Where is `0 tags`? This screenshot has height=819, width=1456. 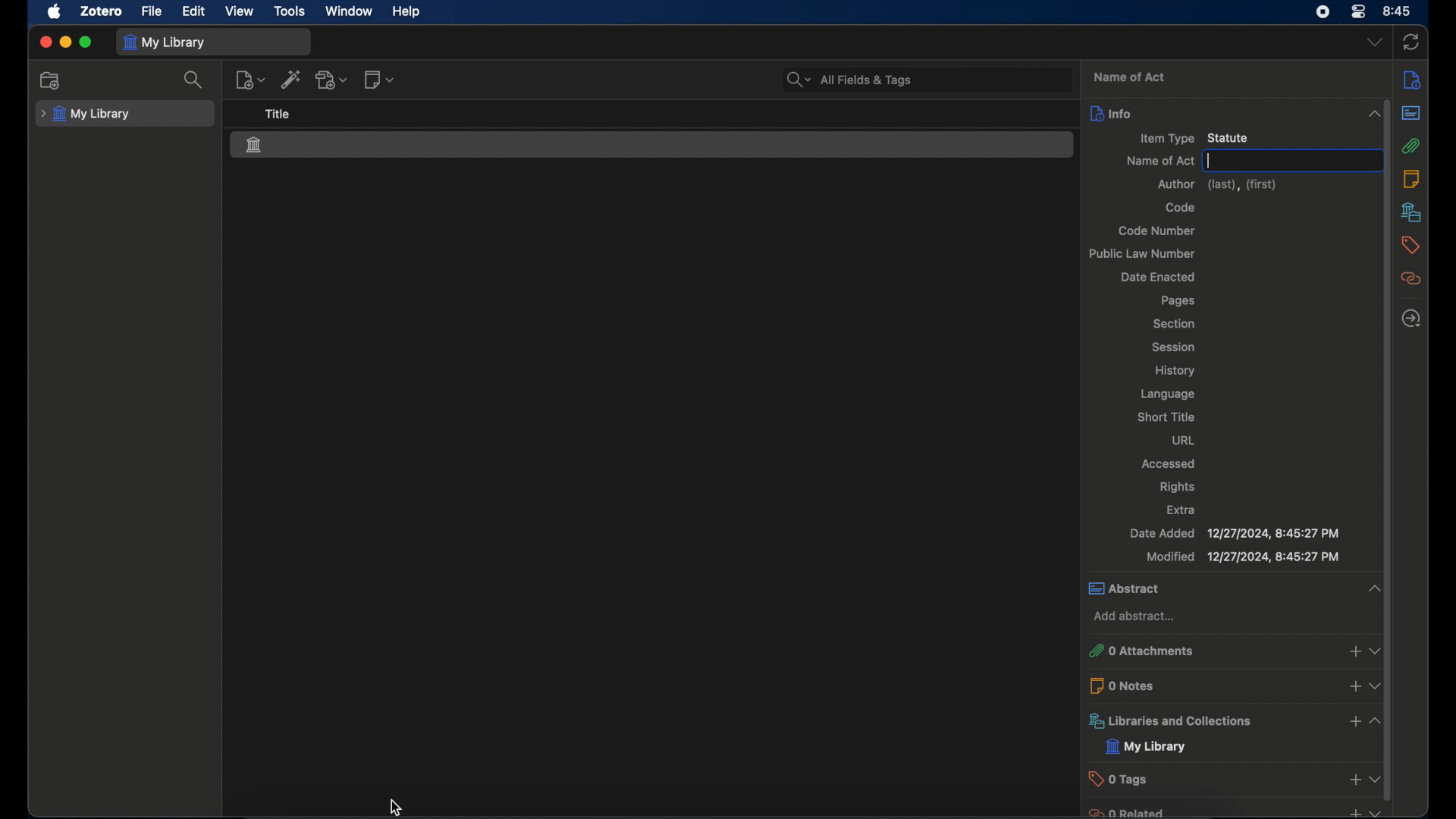 0 tags is located at coordinates (1210, 778).